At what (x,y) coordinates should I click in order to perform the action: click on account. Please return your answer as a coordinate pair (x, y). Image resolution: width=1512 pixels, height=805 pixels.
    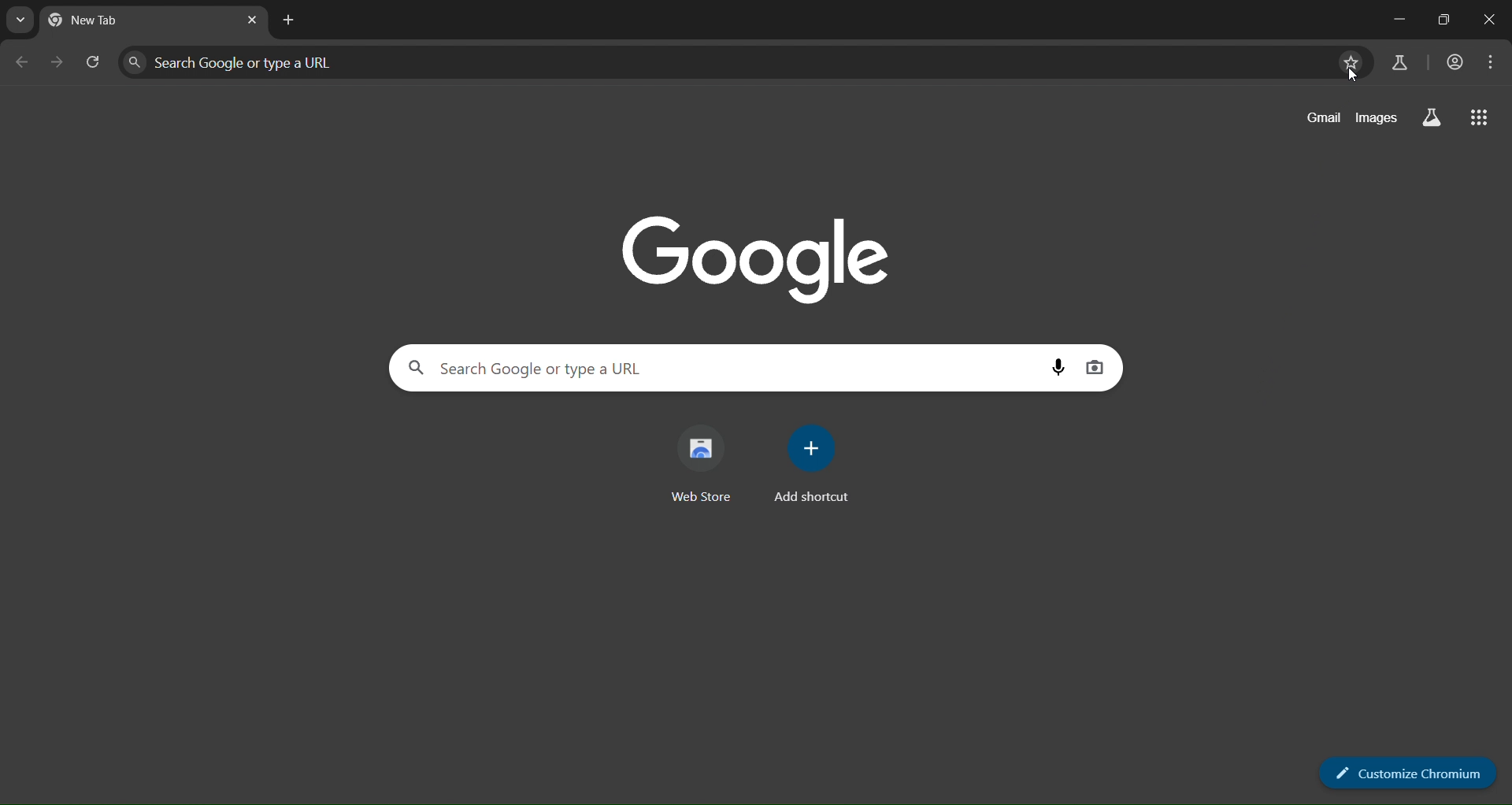
    Looking at the image, I should click on (1451, 63).